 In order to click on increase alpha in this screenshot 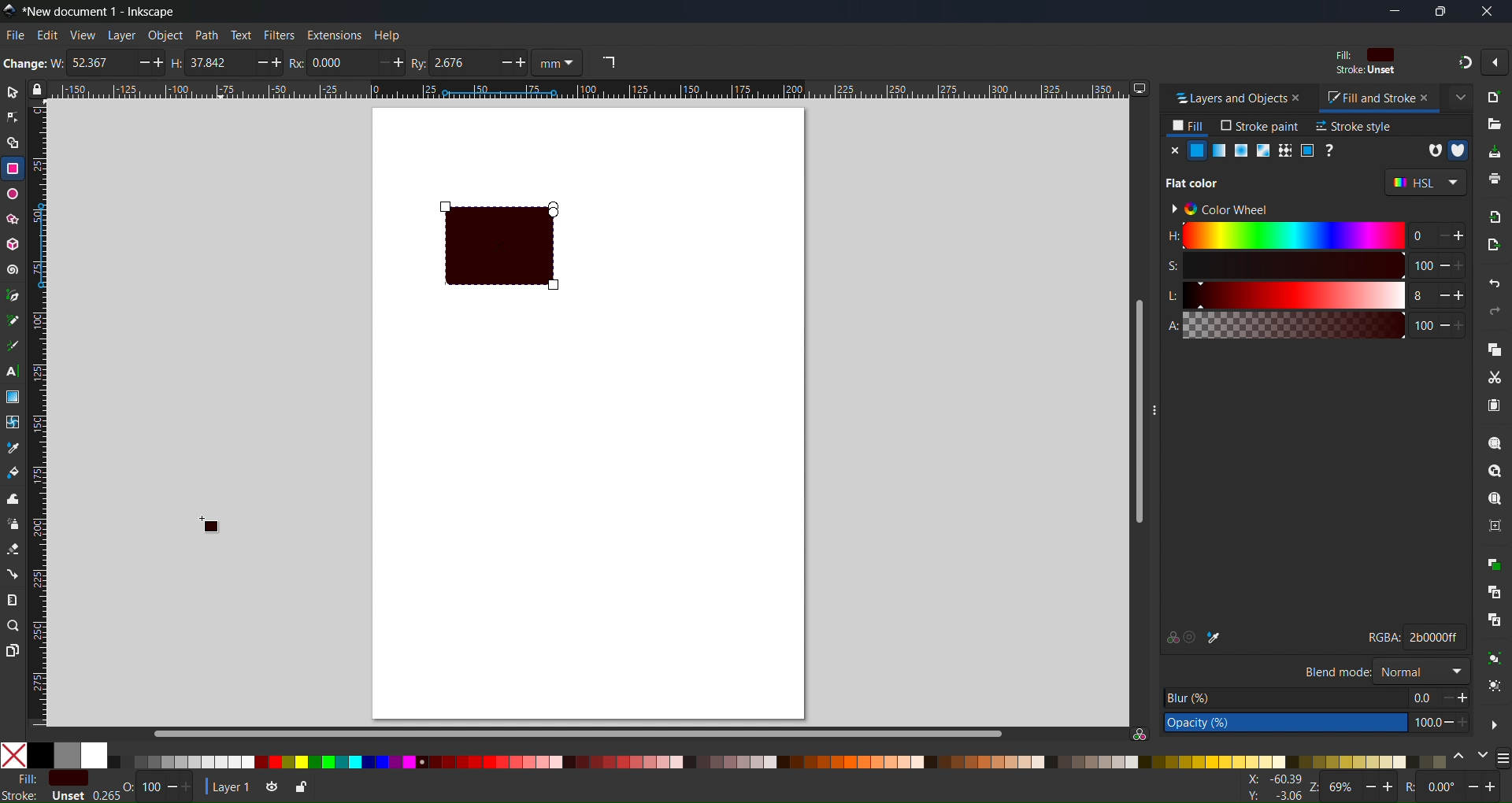, I will do `click(1464, 324)`.